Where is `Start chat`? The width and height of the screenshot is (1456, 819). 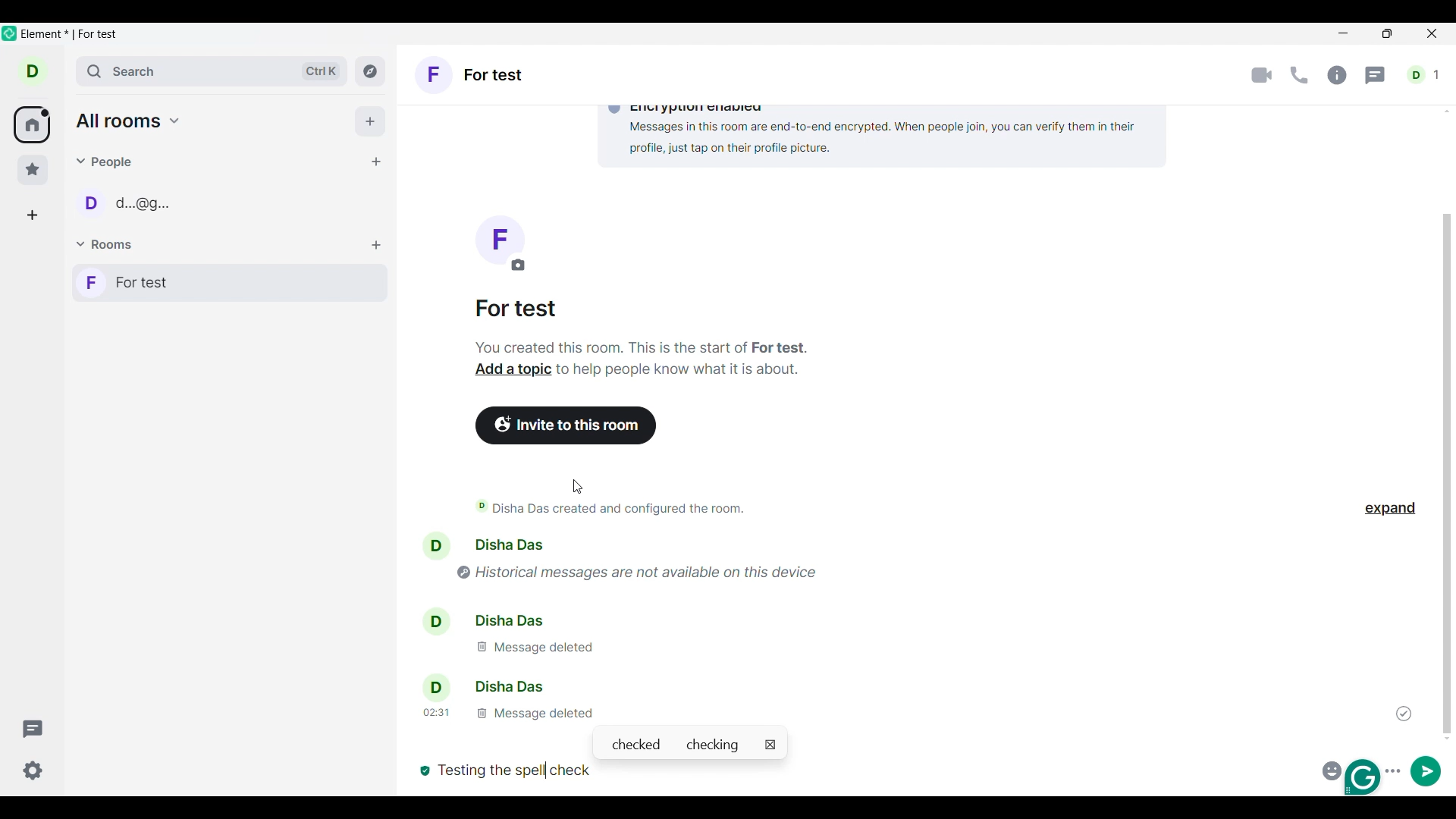
Start chat is located at coordinates (375, 162).